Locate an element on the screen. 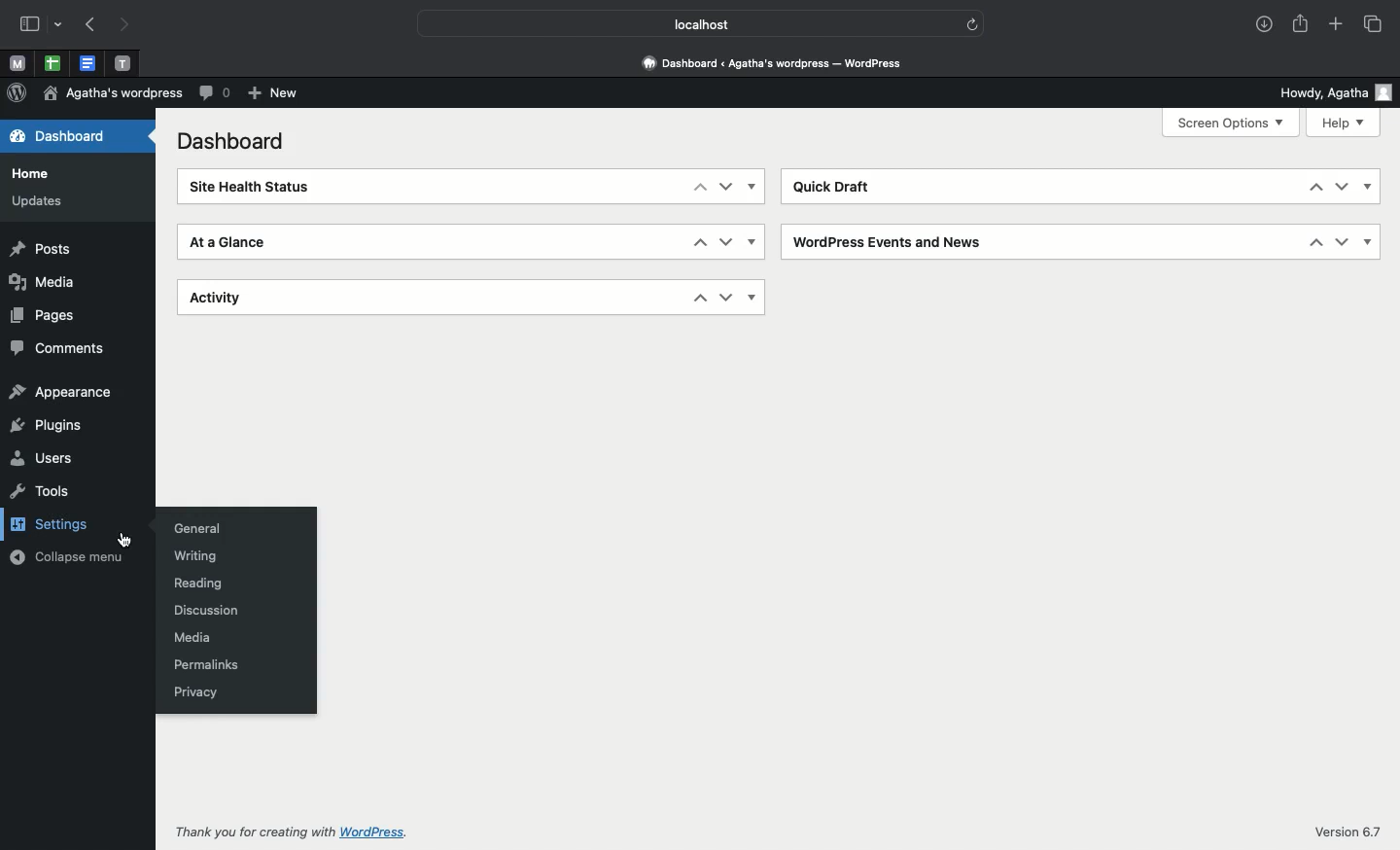 The image size is (1400, 850). Updates is located at coordinates (41, 199).